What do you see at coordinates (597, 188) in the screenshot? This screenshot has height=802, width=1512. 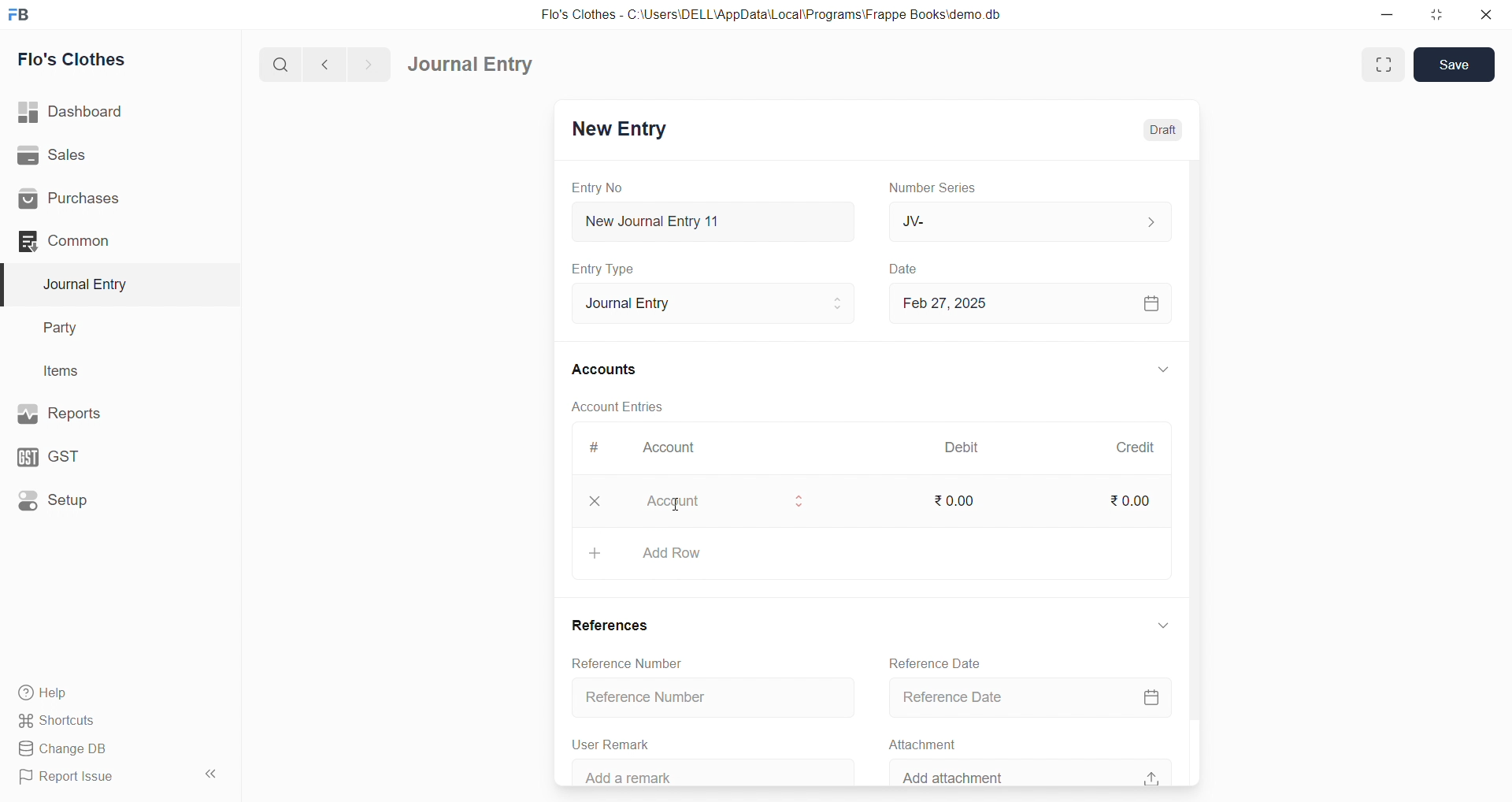 I see `Entry No` at bounding box center [597, 188].